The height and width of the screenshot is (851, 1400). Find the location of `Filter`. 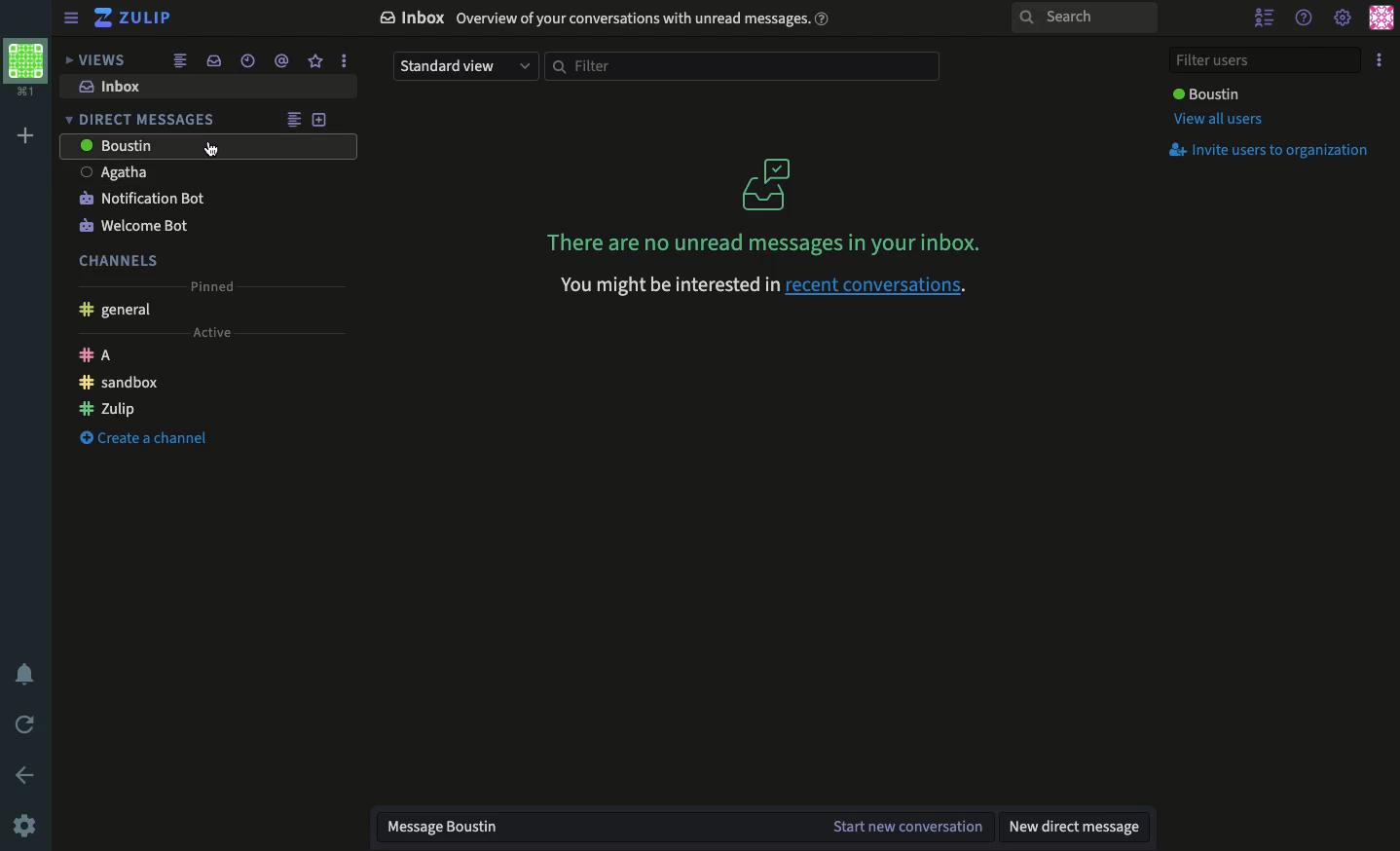

Filter is located at coordinates (743, 67).